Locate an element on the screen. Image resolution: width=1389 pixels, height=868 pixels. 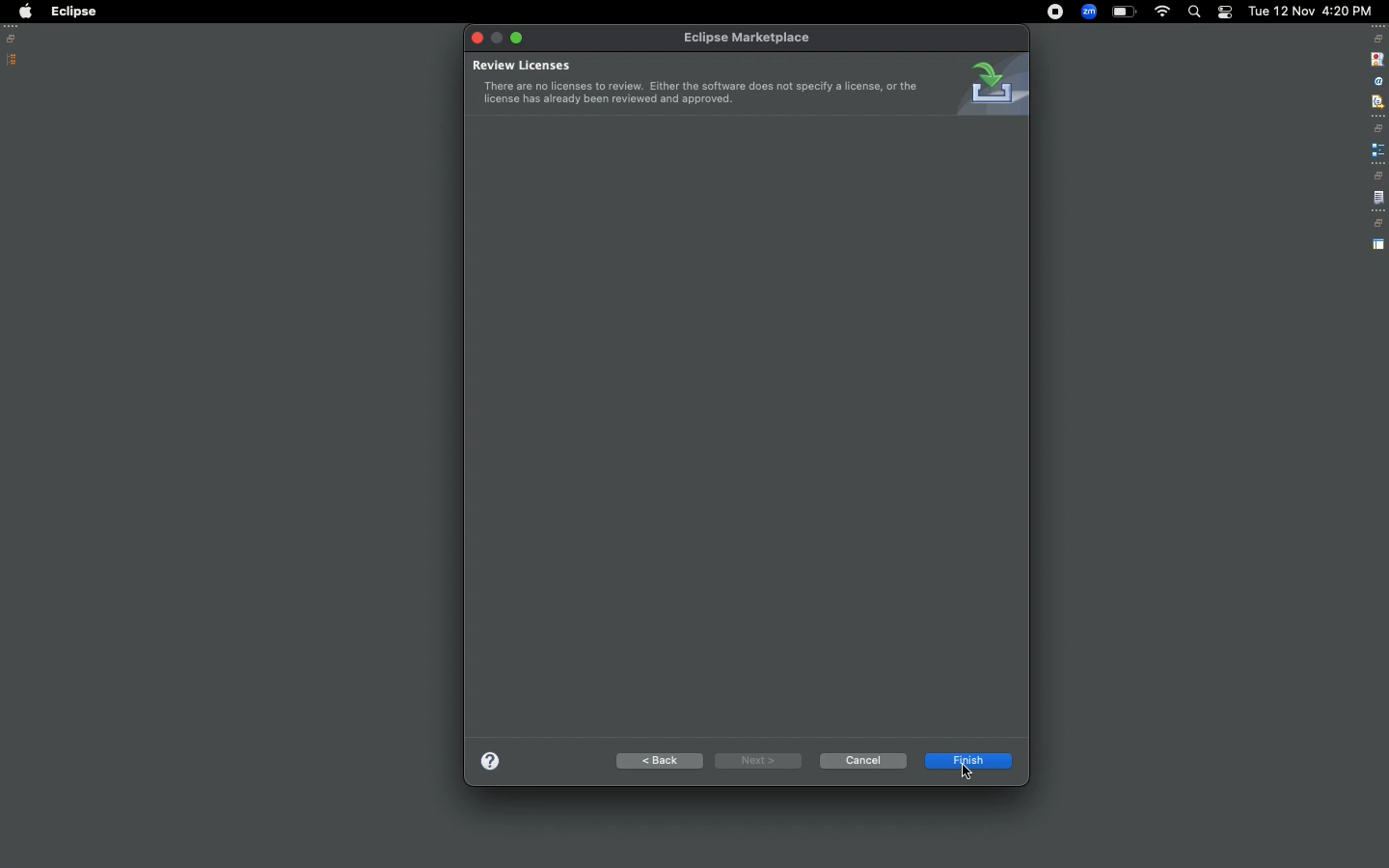
Apple logo is located at coordinates (24, 12).